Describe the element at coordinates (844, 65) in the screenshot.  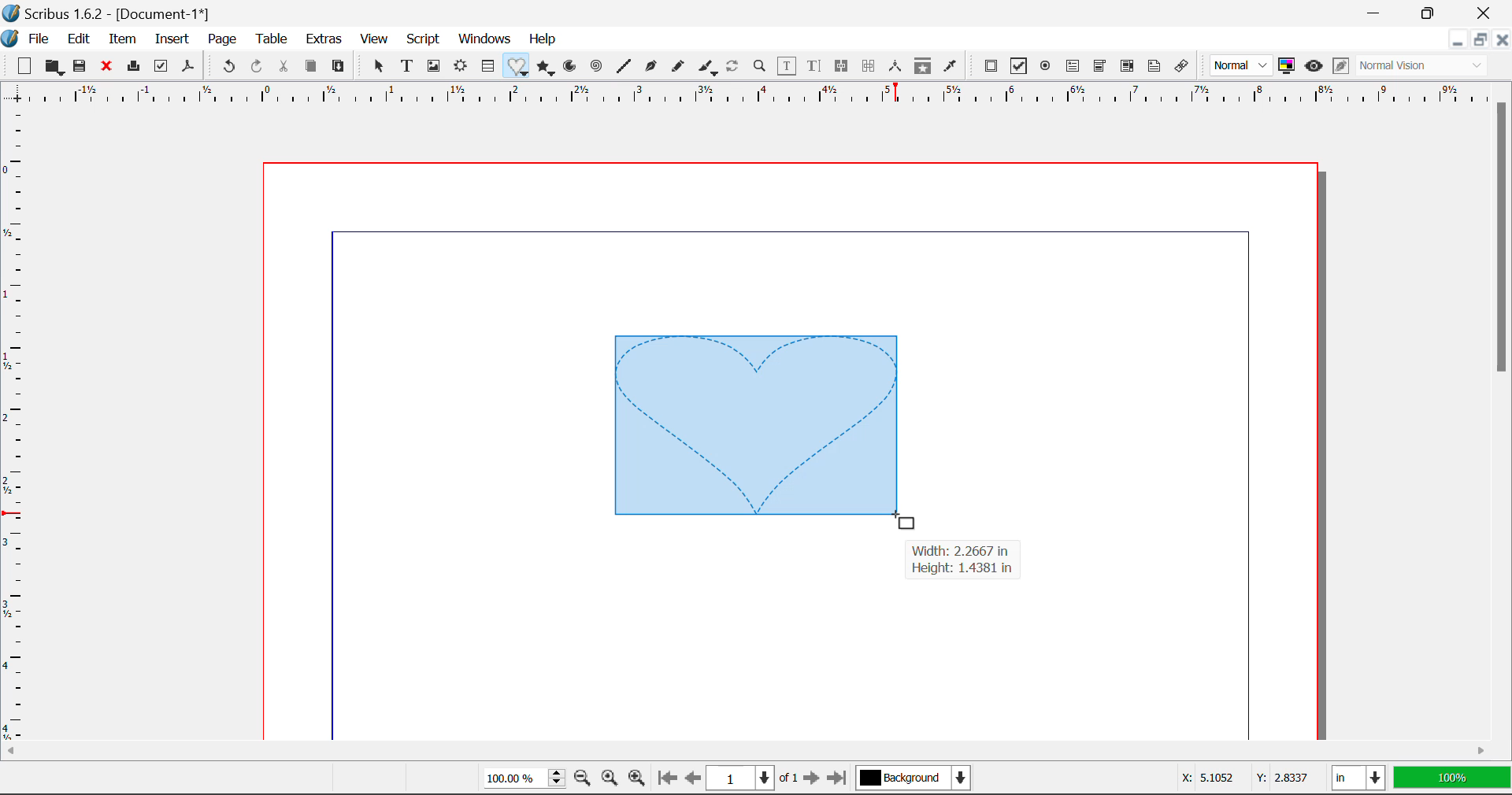
I see `Link Text Frames` at that location.